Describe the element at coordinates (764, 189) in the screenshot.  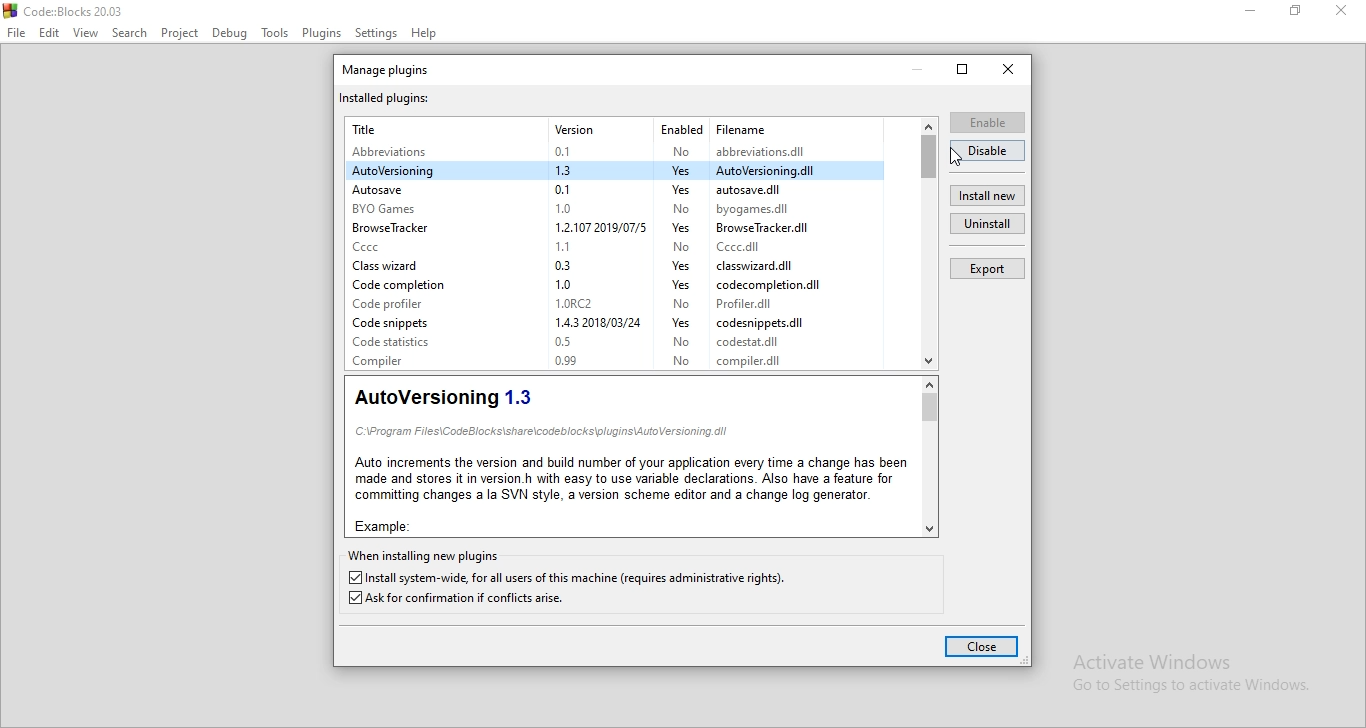
I see `autosave.dil` at that location.